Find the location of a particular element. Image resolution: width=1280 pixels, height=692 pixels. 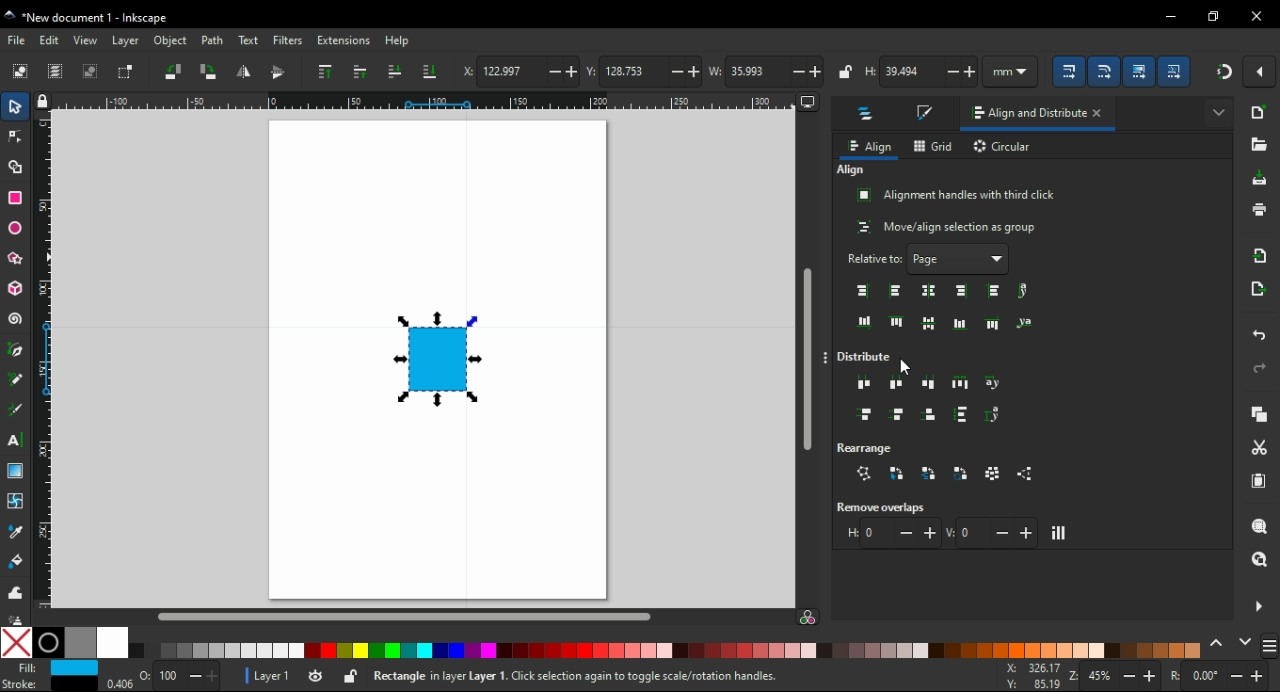

raise is located at coordinates (361, 72).